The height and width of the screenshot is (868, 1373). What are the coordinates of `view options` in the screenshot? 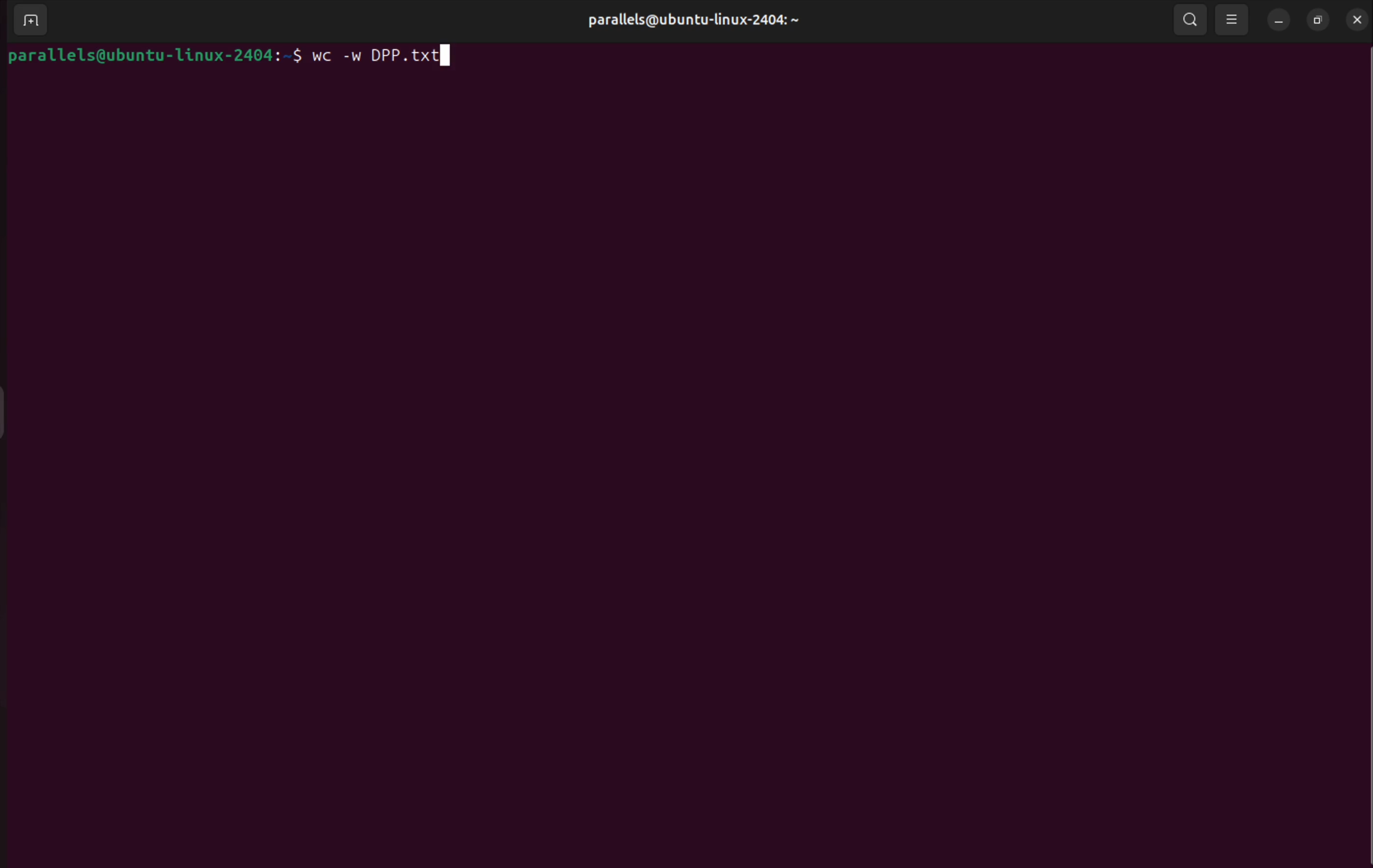 It's located at (1234, 21).